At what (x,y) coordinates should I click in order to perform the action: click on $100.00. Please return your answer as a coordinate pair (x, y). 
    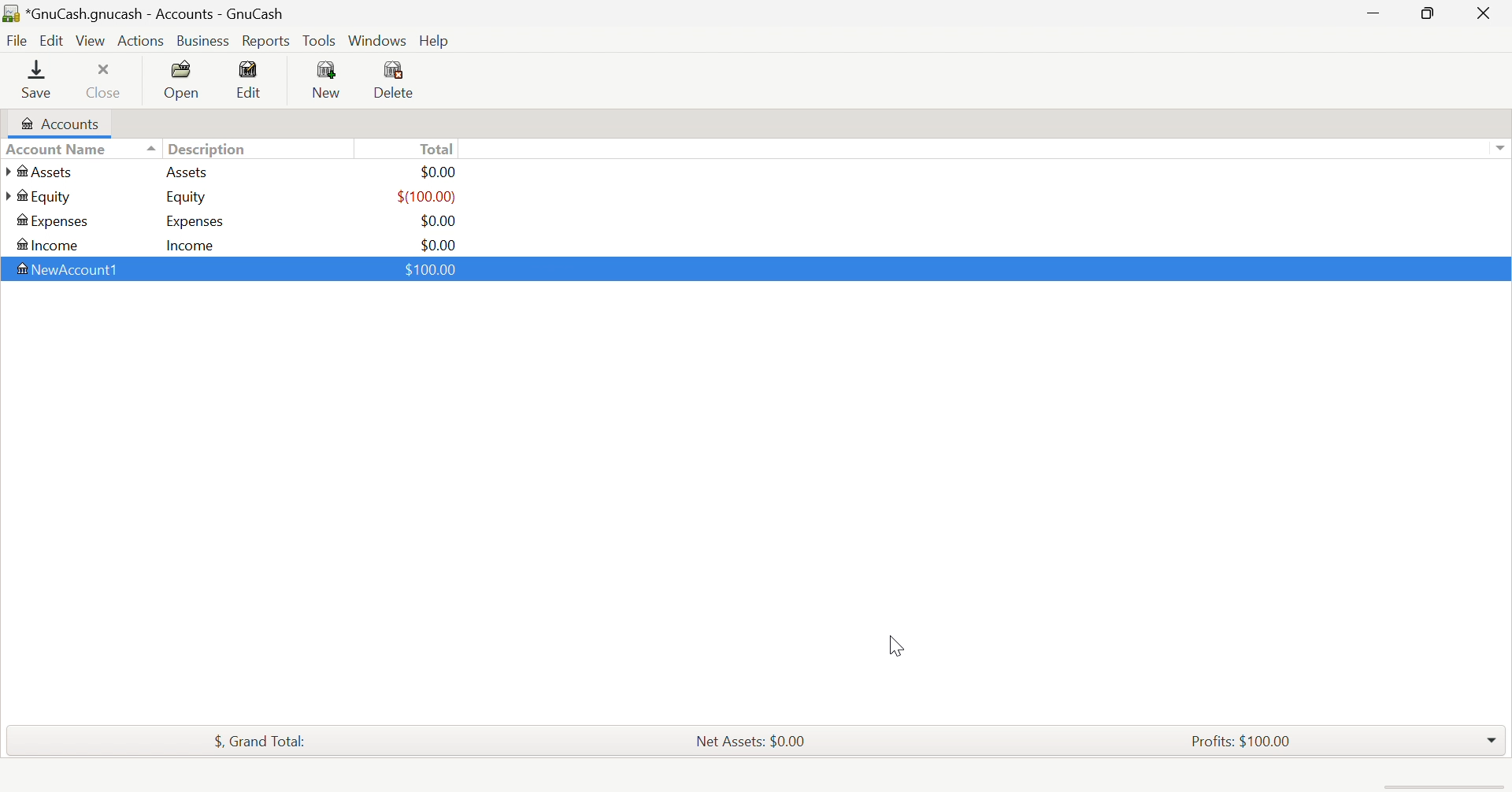
    Looking at the image, I should click on (433, 270).